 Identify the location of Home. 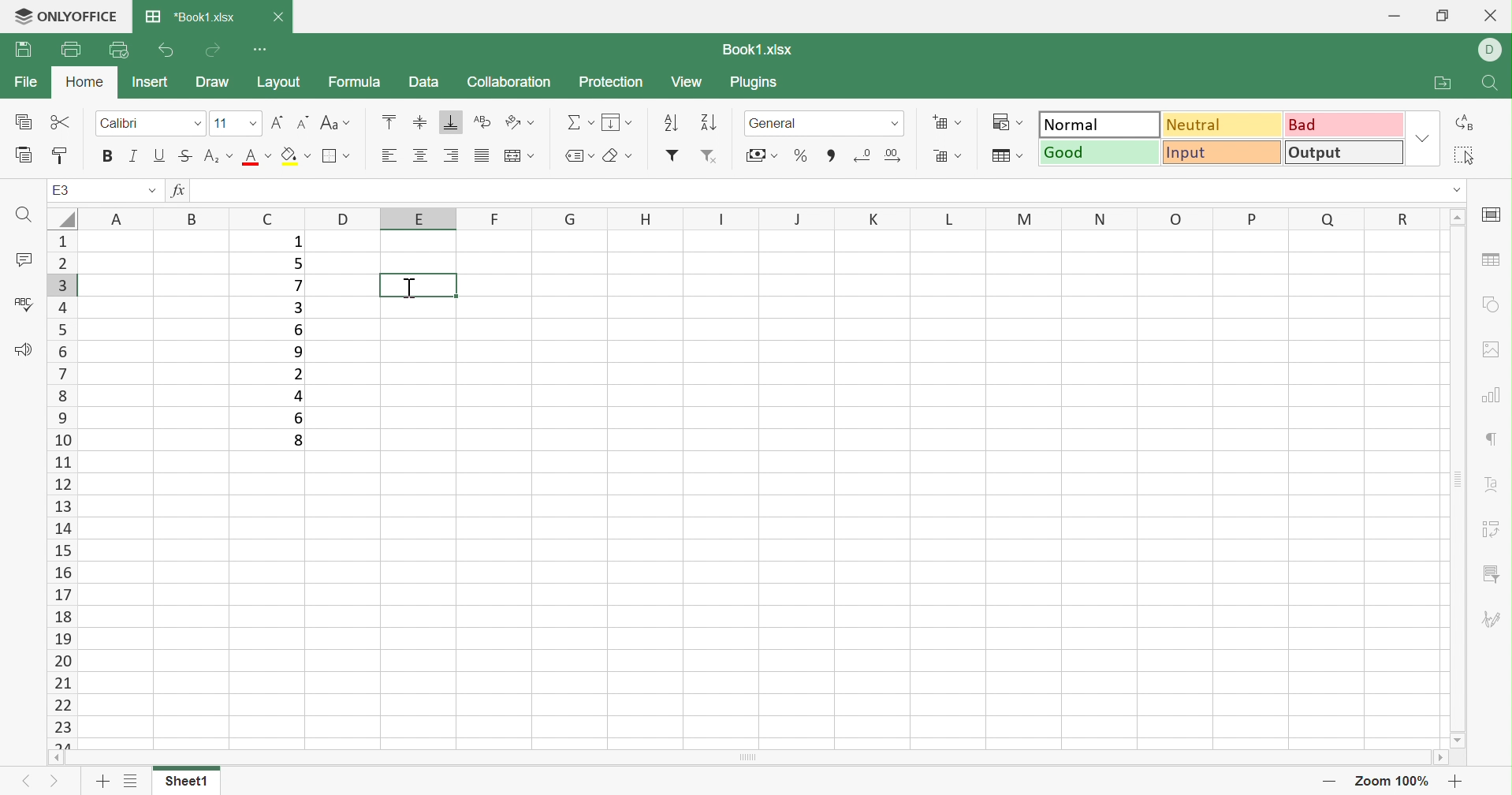
(86, 82).